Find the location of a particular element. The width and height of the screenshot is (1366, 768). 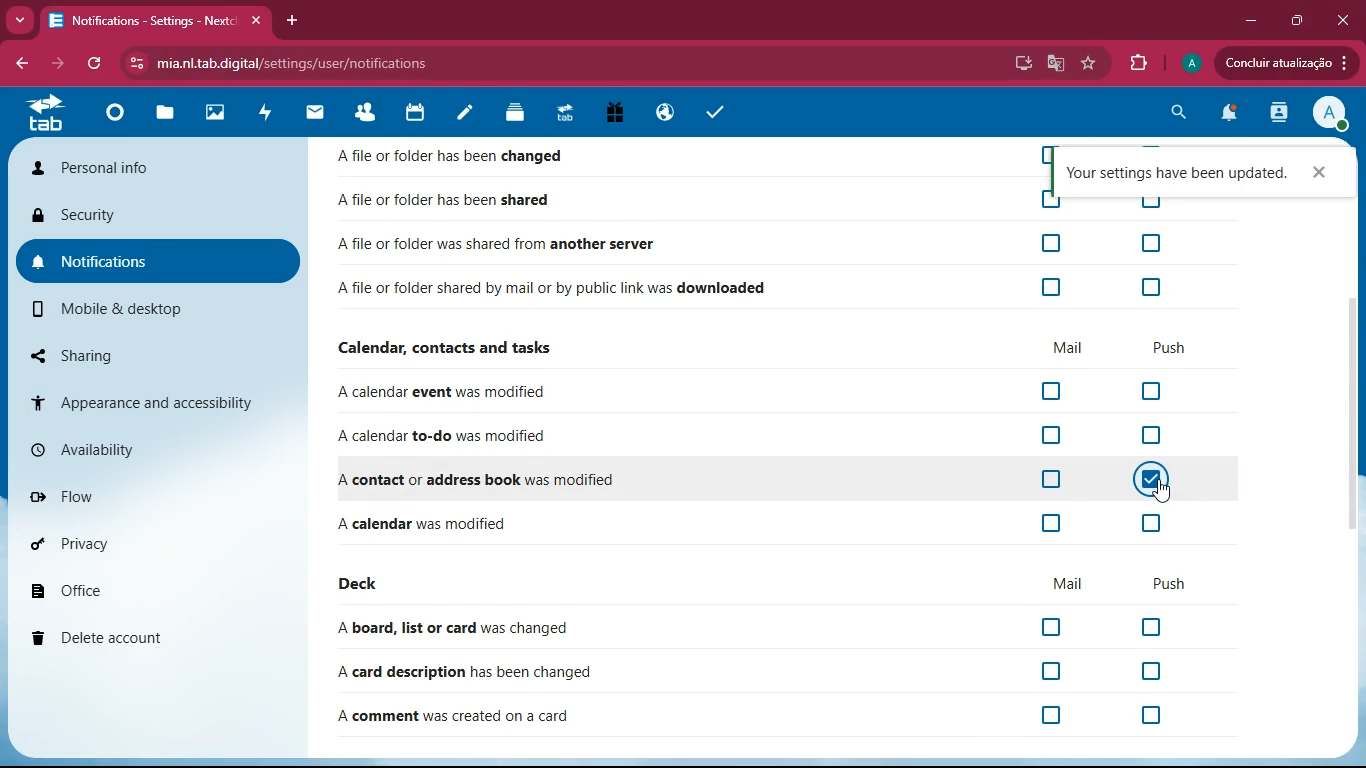

layers is located at coordinates (519, 113).